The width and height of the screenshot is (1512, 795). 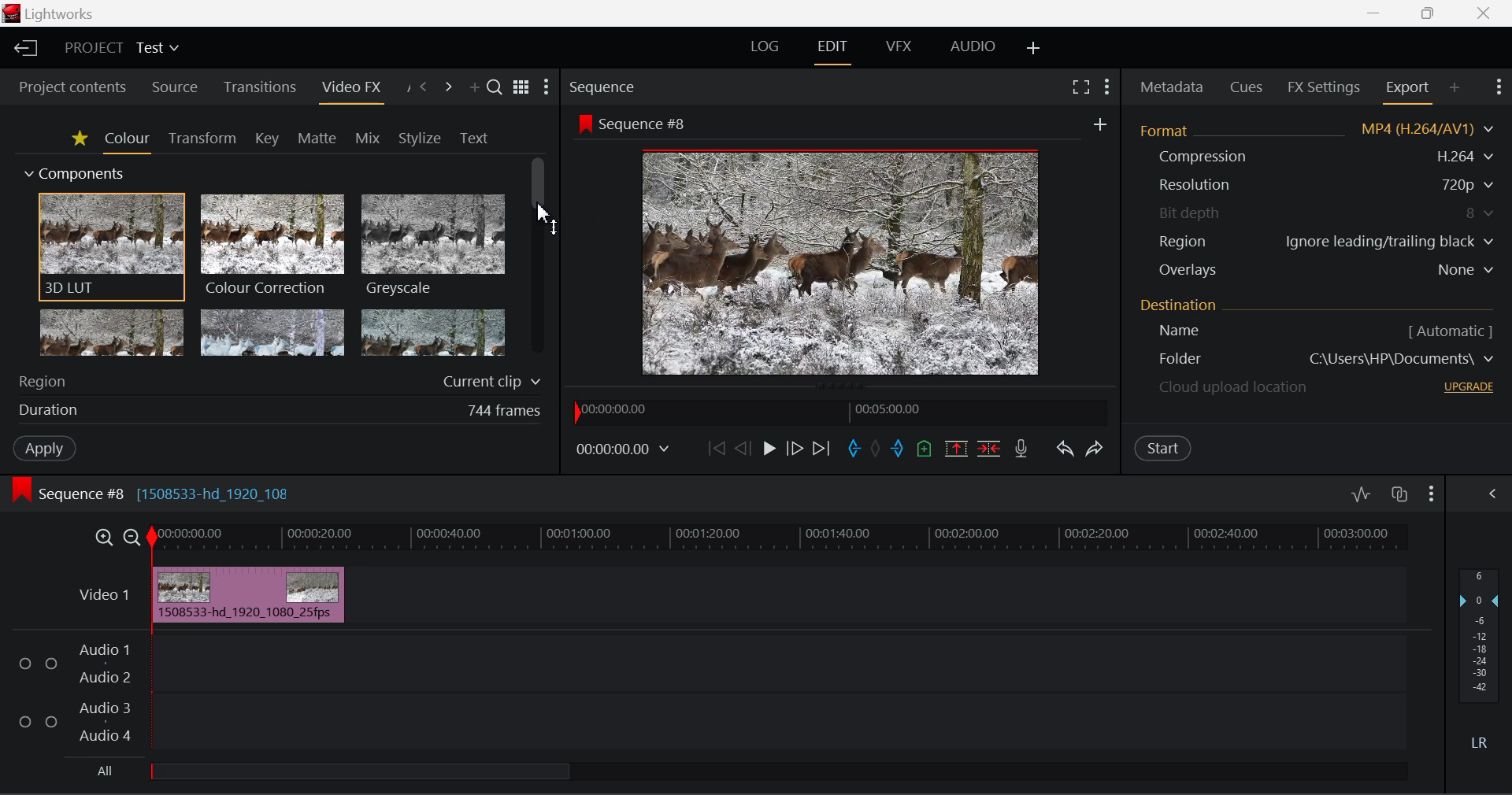 What do you see at coordinates (1170, 87) in the screenshot?
I see `Metadata` at bounding box center [1170, 87].